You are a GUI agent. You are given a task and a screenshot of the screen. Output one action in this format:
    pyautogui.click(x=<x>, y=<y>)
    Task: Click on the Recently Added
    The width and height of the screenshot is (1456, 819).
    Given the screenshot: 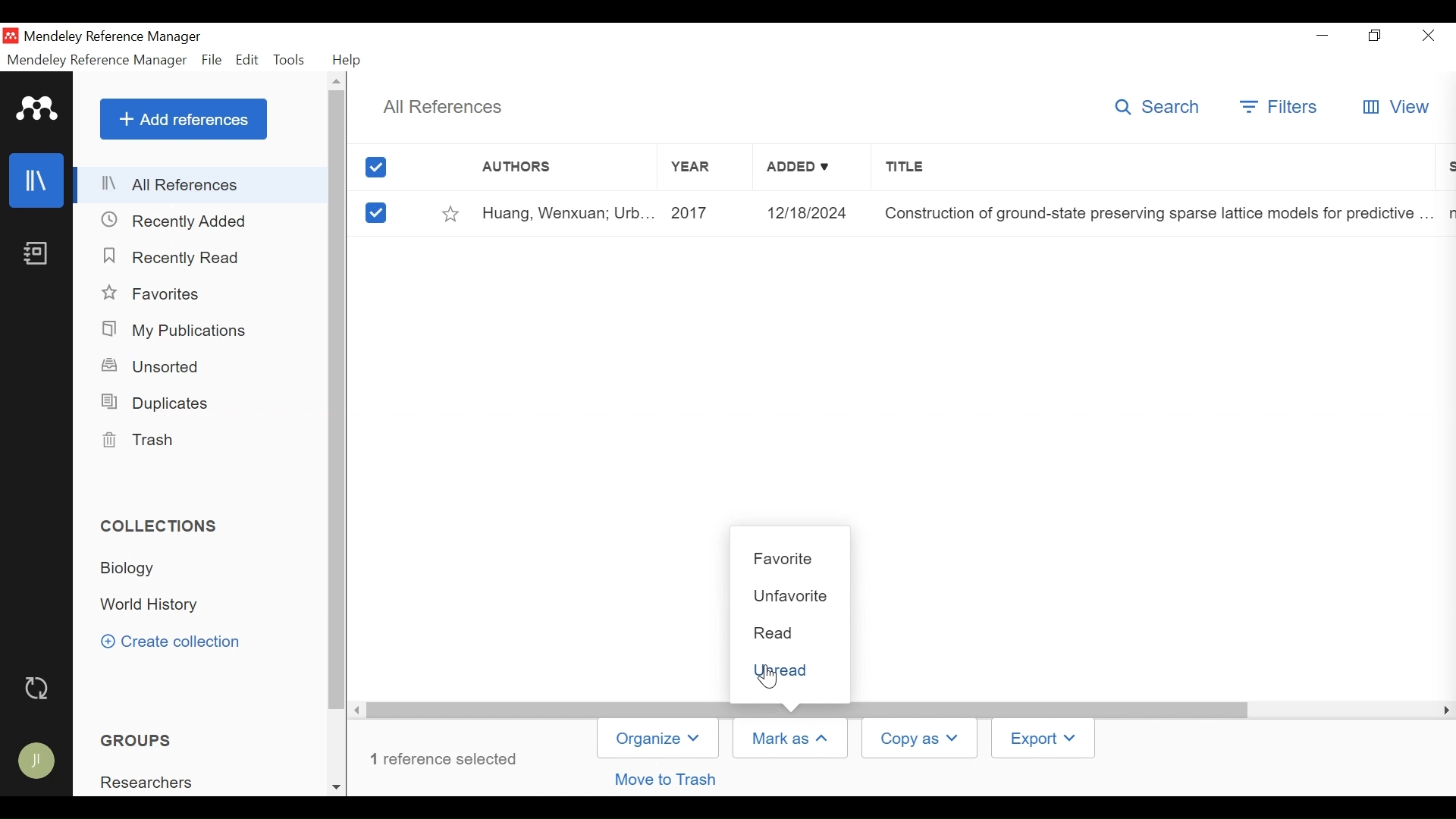 What is the action you would take?
    pyautogui.click(x=174, y=221)
    